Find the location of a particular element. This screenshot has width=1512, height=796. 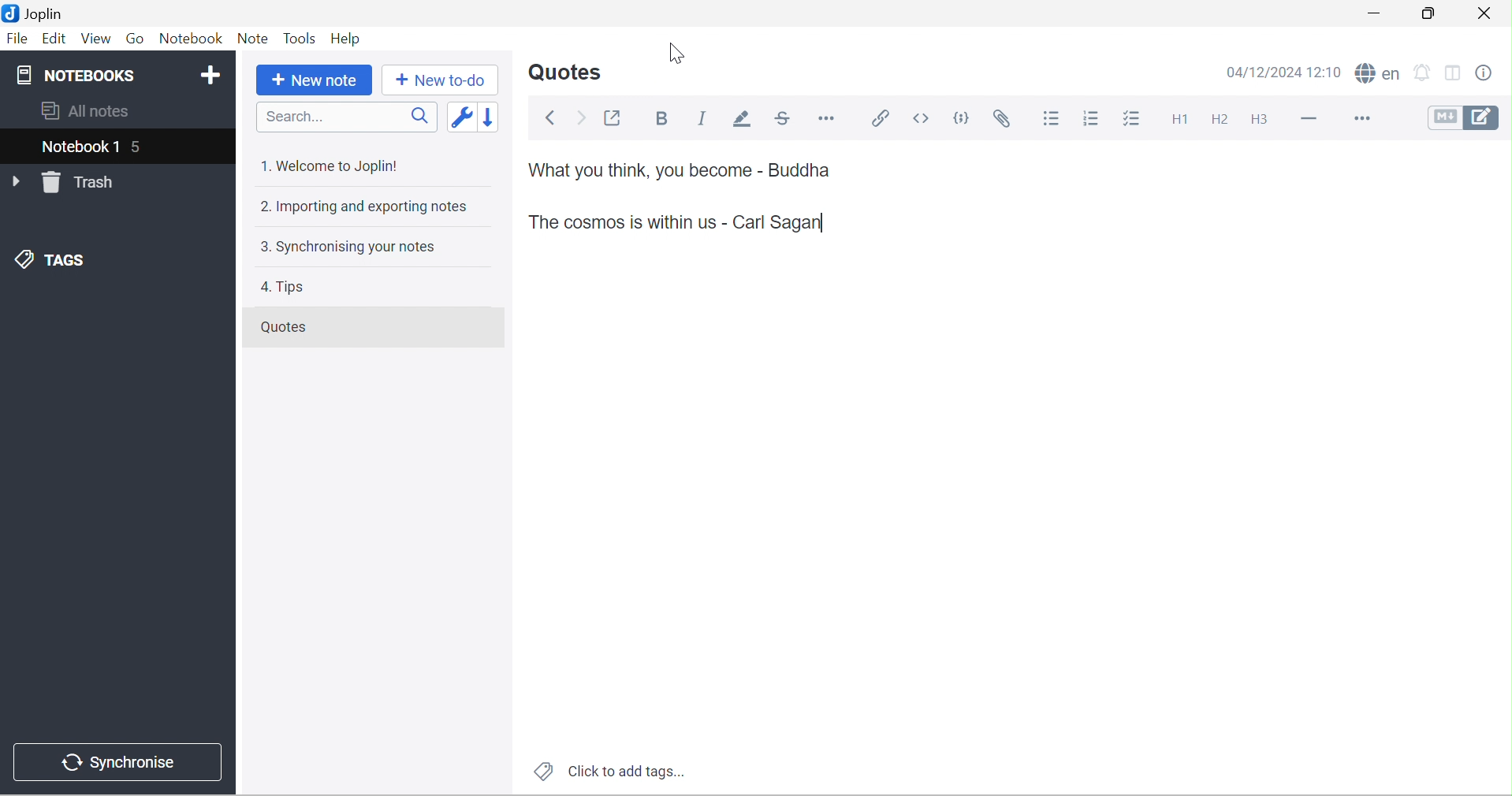

Help is located at coordinates (349, 38).